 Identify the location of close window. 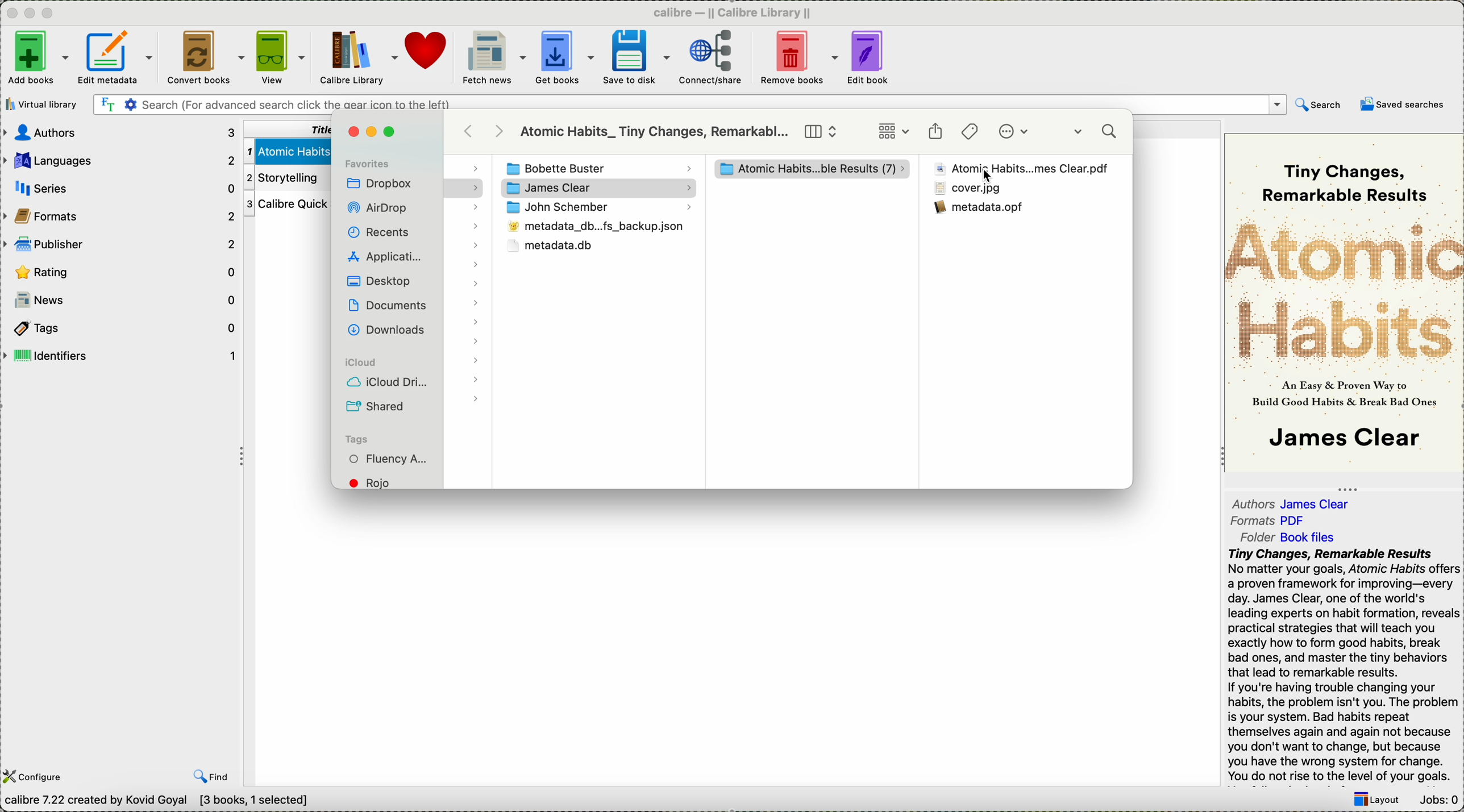
(352, 132).